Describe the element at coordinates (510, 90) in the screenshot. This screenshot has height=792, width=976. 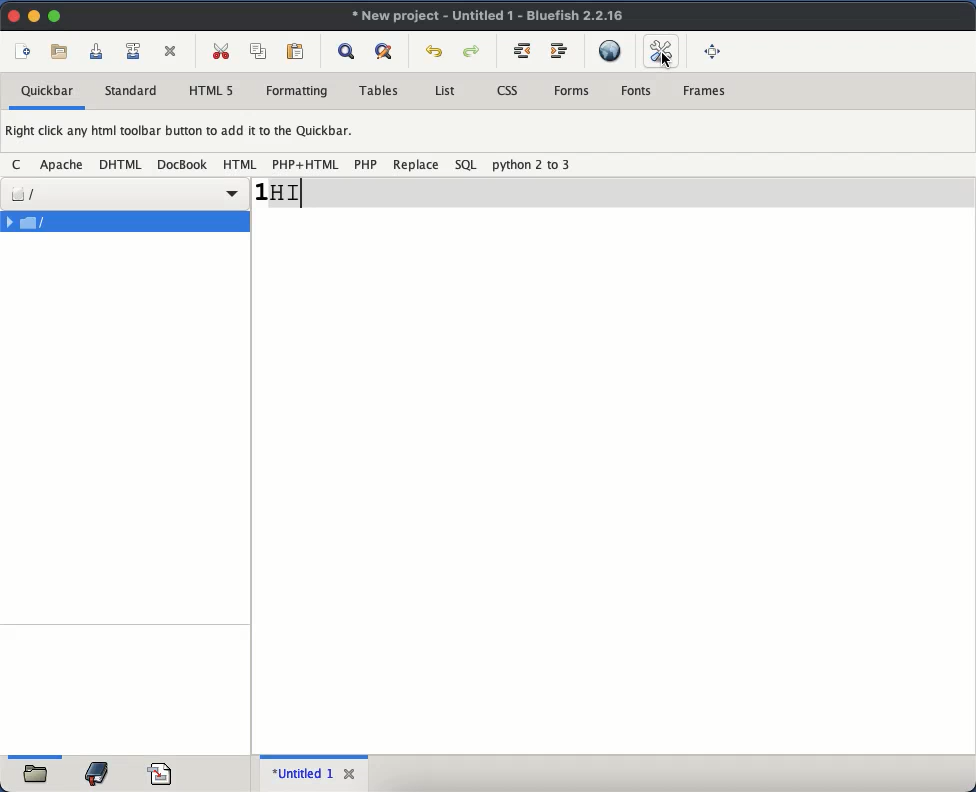
I see `css` at that location.